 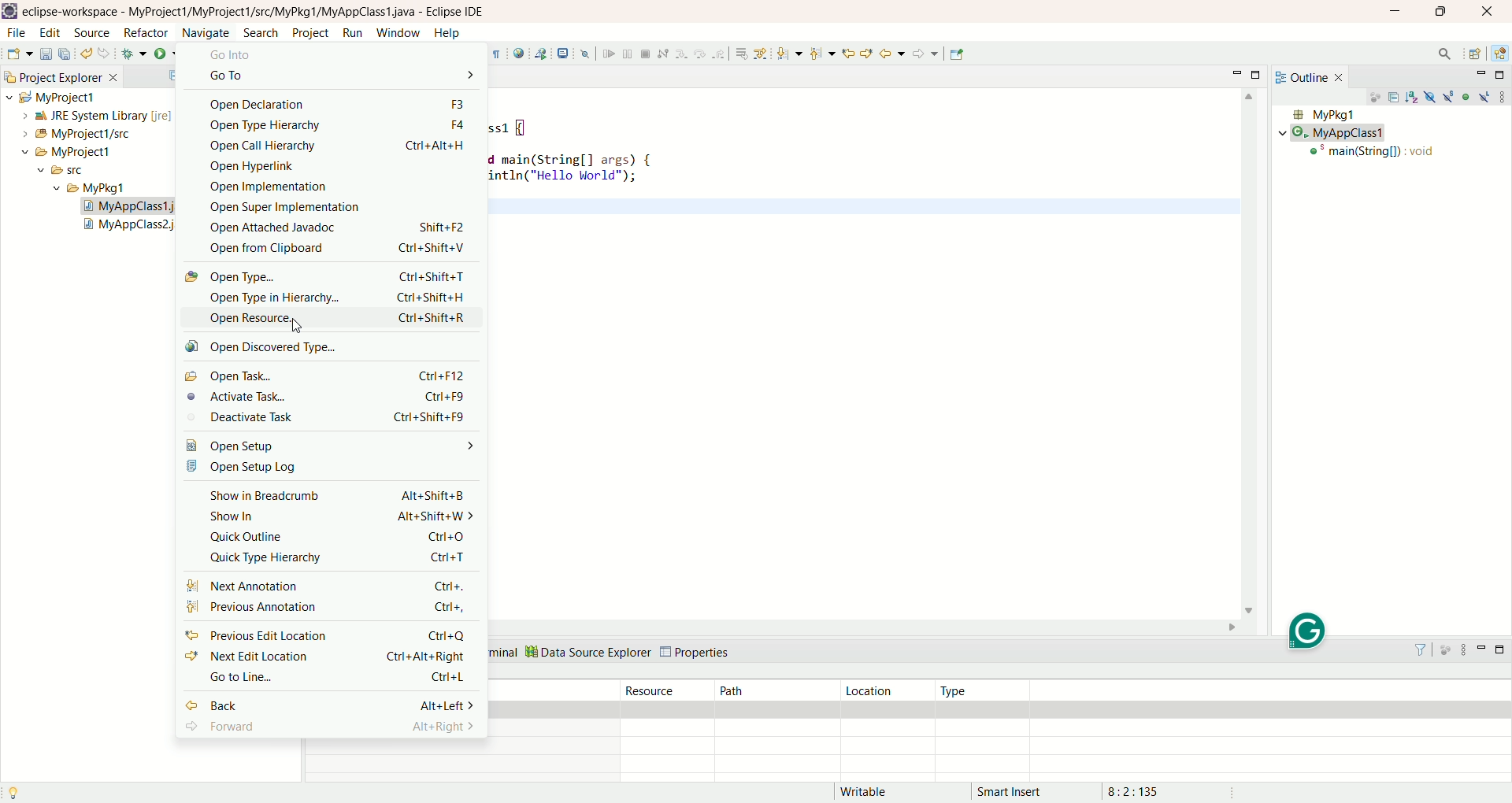 I want to click on next edit location, so click(x=867, y=52).